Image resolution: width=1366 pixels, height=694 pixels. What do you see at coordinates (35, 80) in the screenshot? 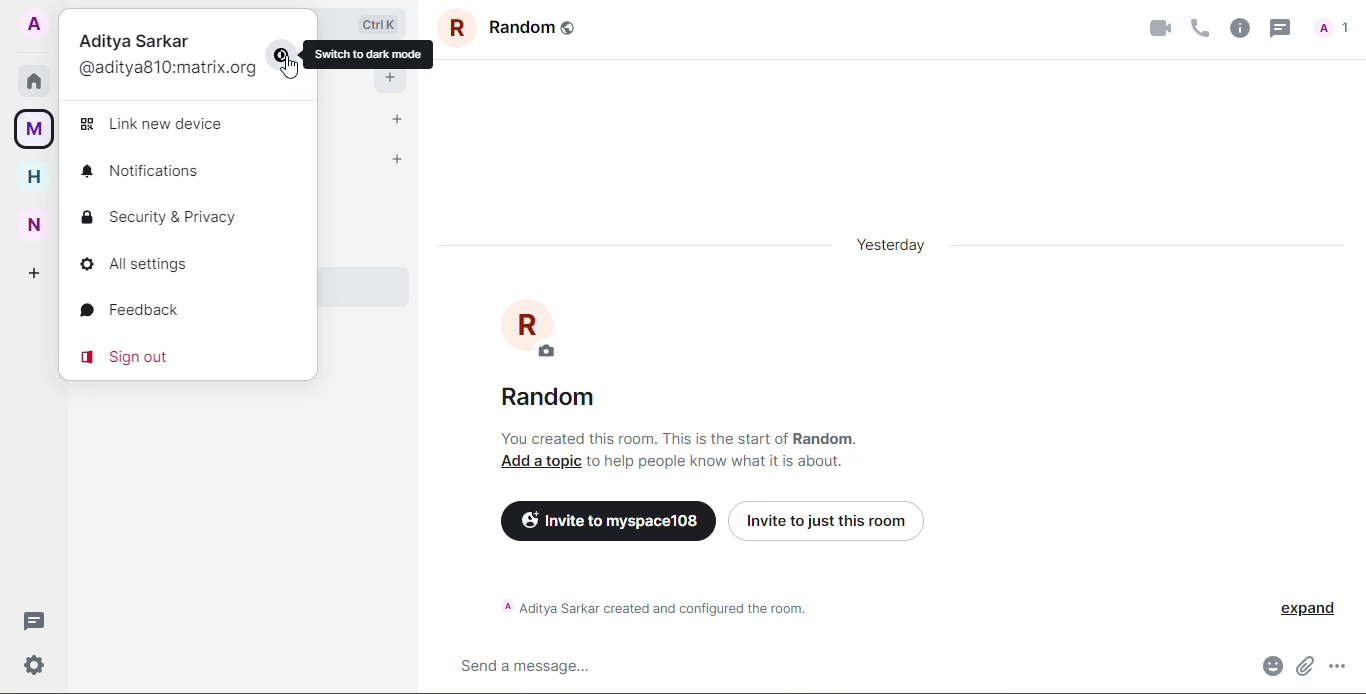
I see `home` at bounding box center [35, 80].